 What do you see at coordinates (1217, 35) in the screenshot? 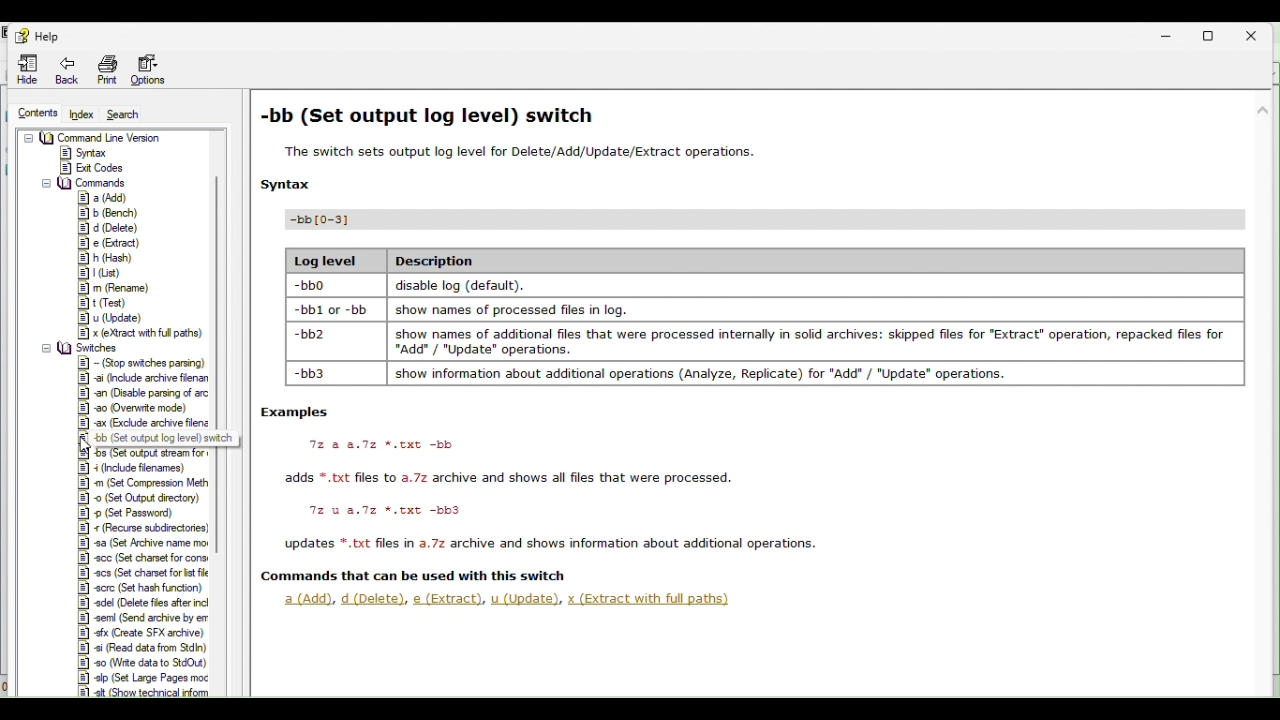
I see `restore` at bounding box center [1217, 35].